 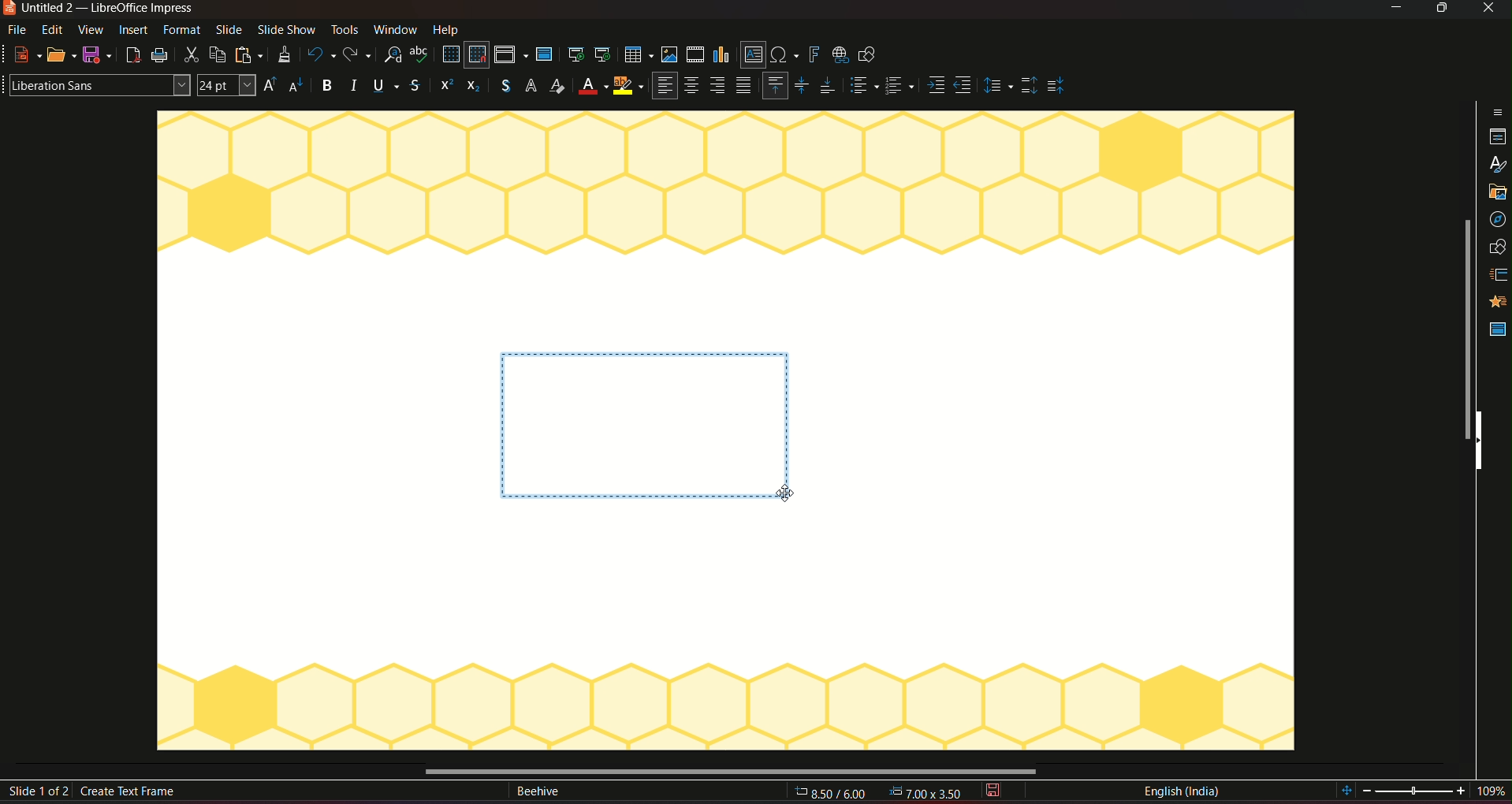 What do you see at coordinates (602, 55) in the screenshot?
I see `start from current slide` at bounding box center [602, 55].